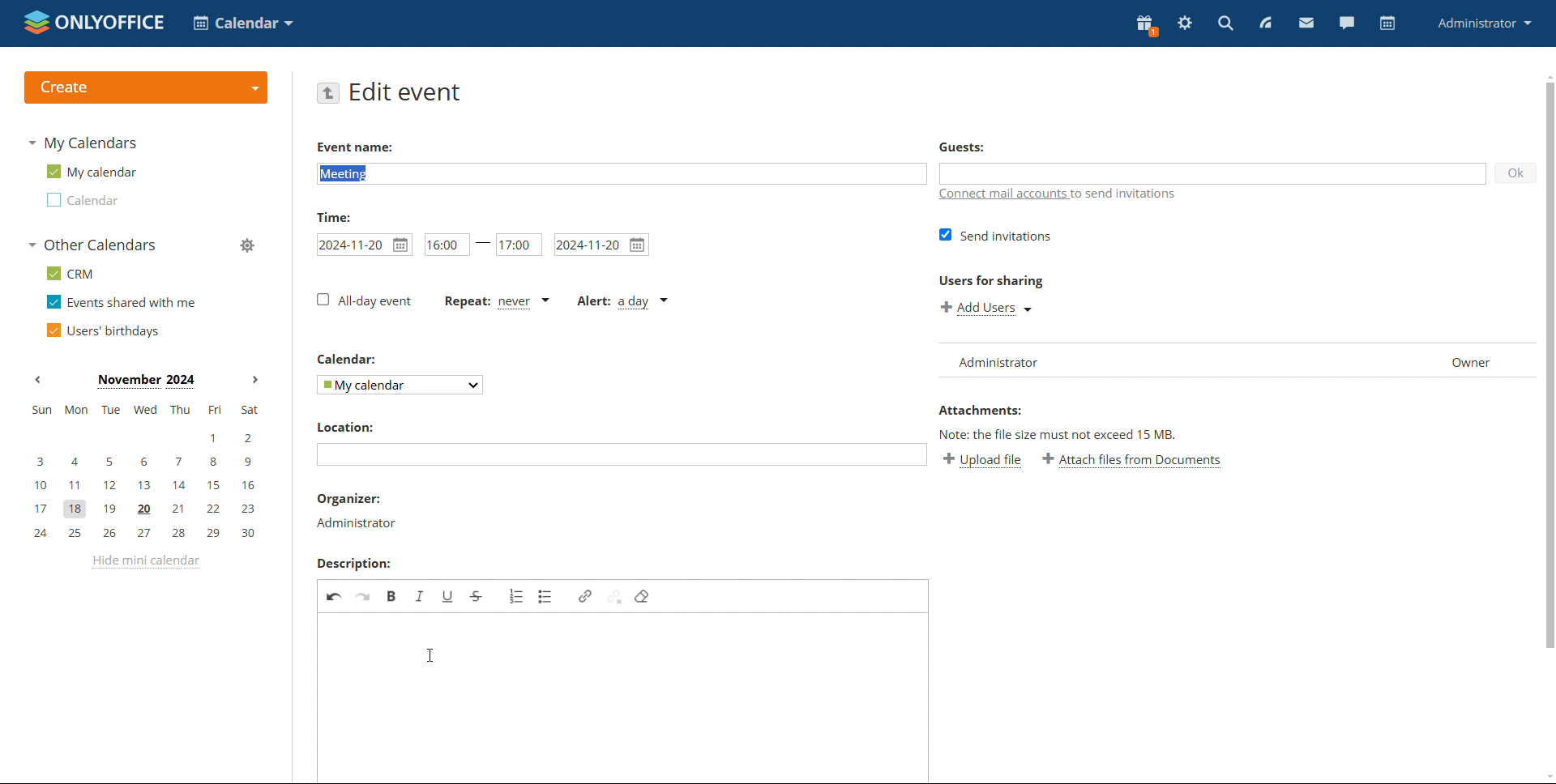 Image resolution: width=1556 pixels, height=784 pixels. Describe the element at coordinates (519, 245) in the screenshot. I see `end time` at that location.